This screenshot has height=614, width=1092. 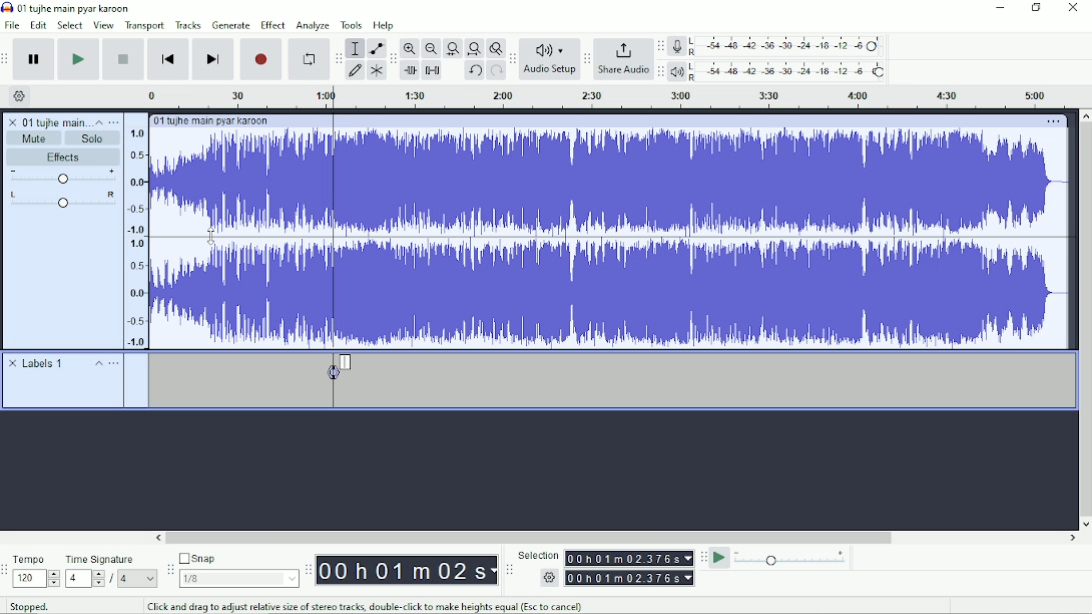 I want to click on Labels 1, so click(x=36, y=362).